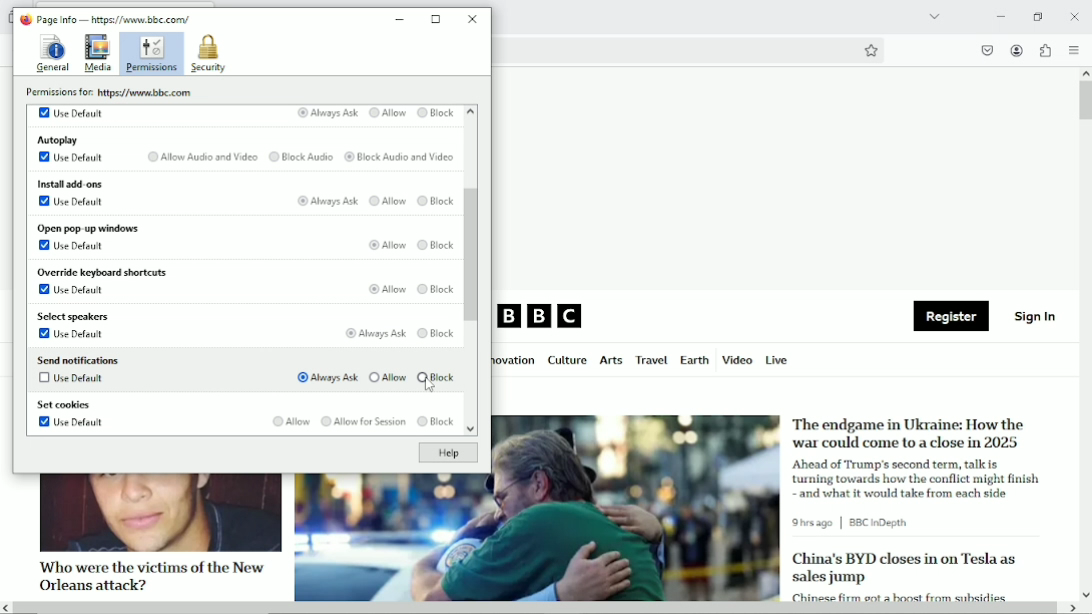 This screenshot has height=614, width=1092. What do you see at coordinates (515, 361) in the screenshot?
I see `Innovation` at bounding box center [515, 361].